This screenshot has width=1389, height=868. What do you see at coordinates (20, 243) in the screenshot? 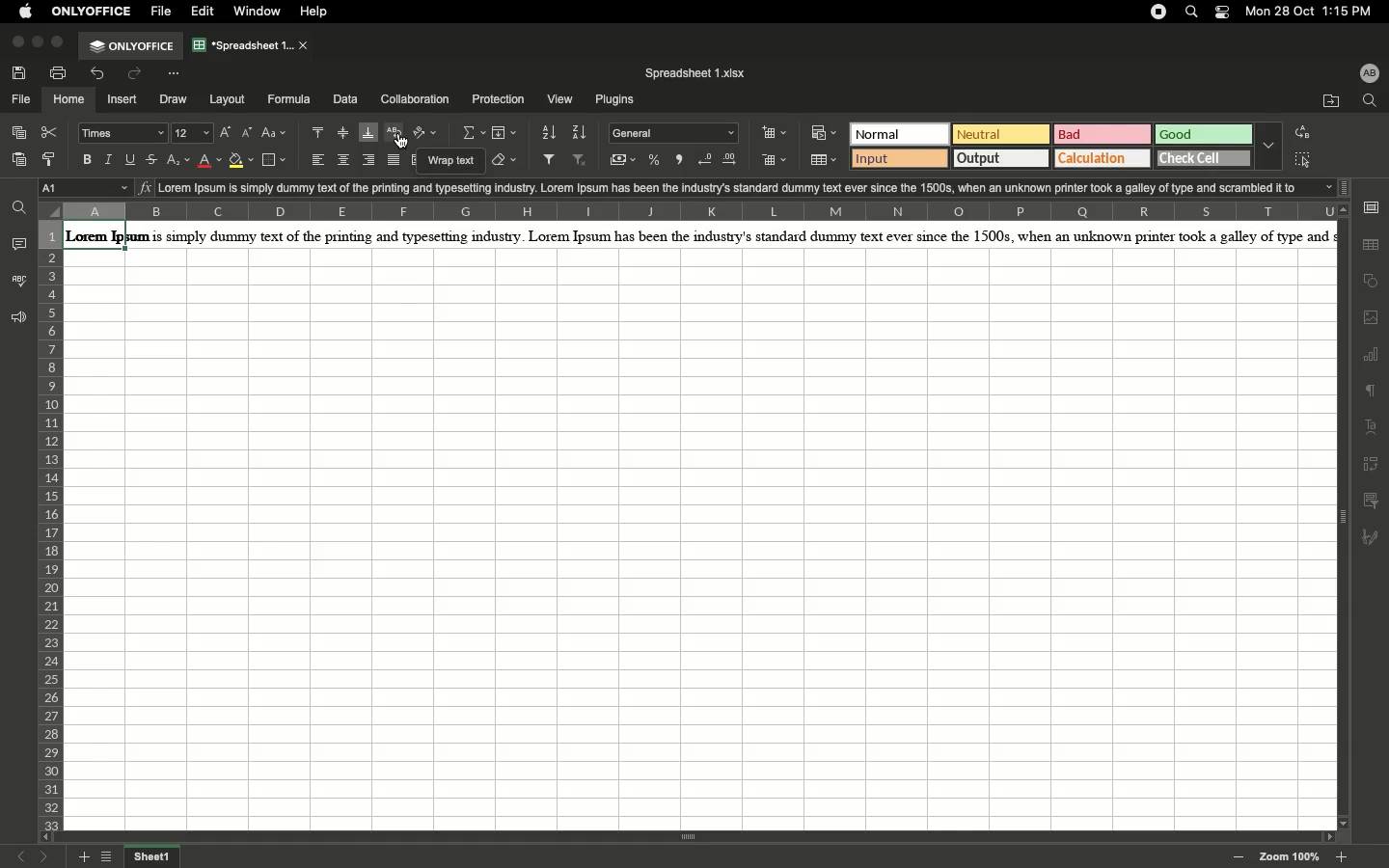
I see `Comments` at bounding box center [20, 243].